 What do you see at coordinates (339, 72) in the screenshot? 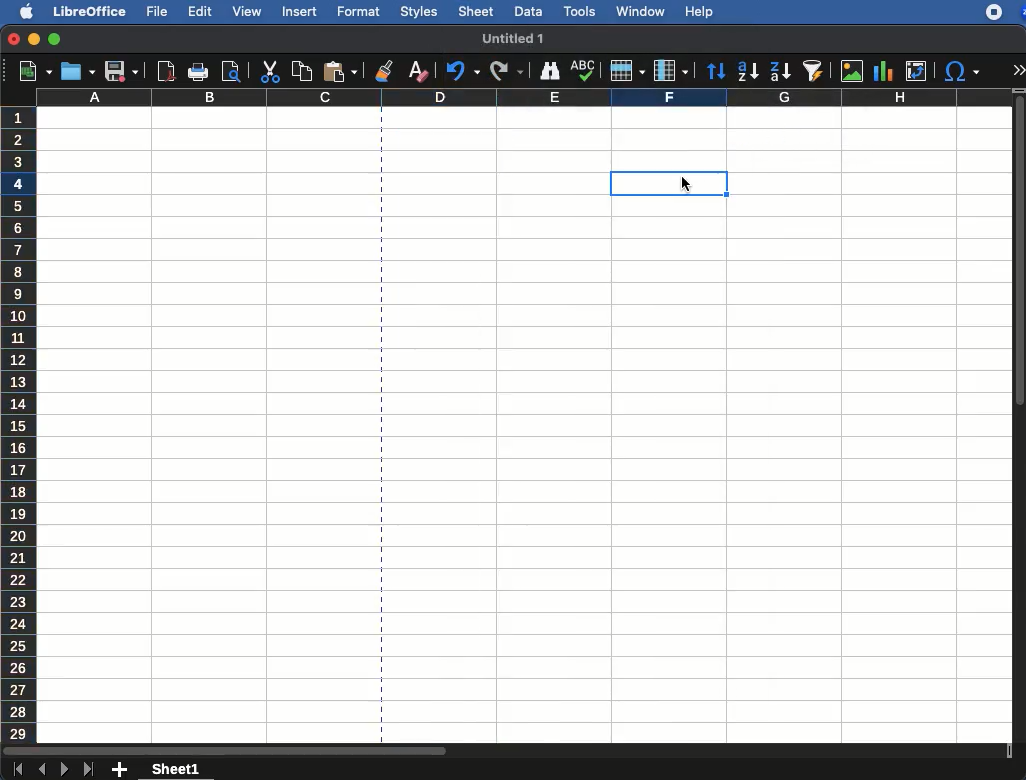
I see `paste` at bounding box center [339, 72].